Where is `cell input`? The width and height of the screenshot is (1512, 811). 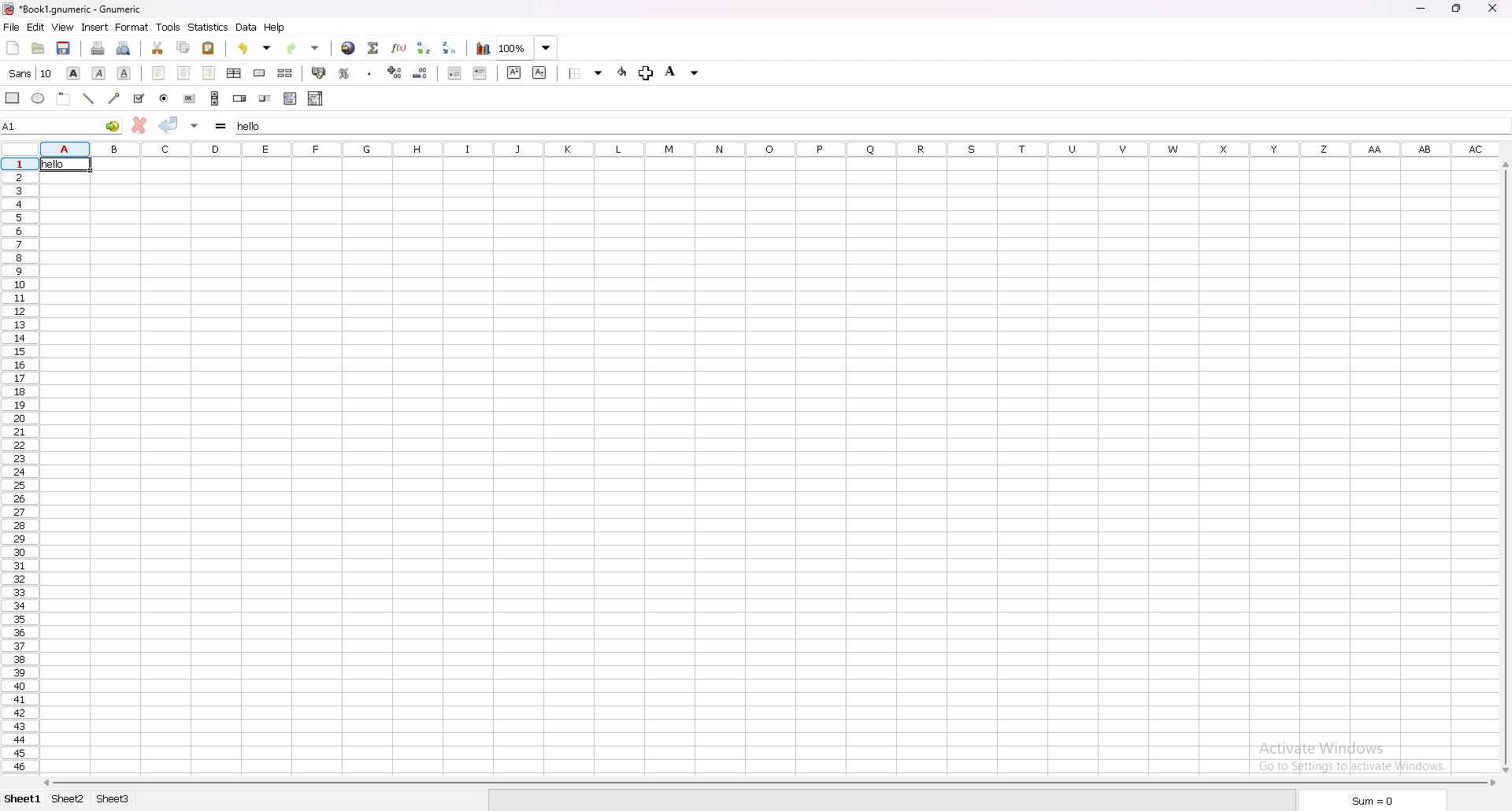 cell input is located at coordinates (870, 124).